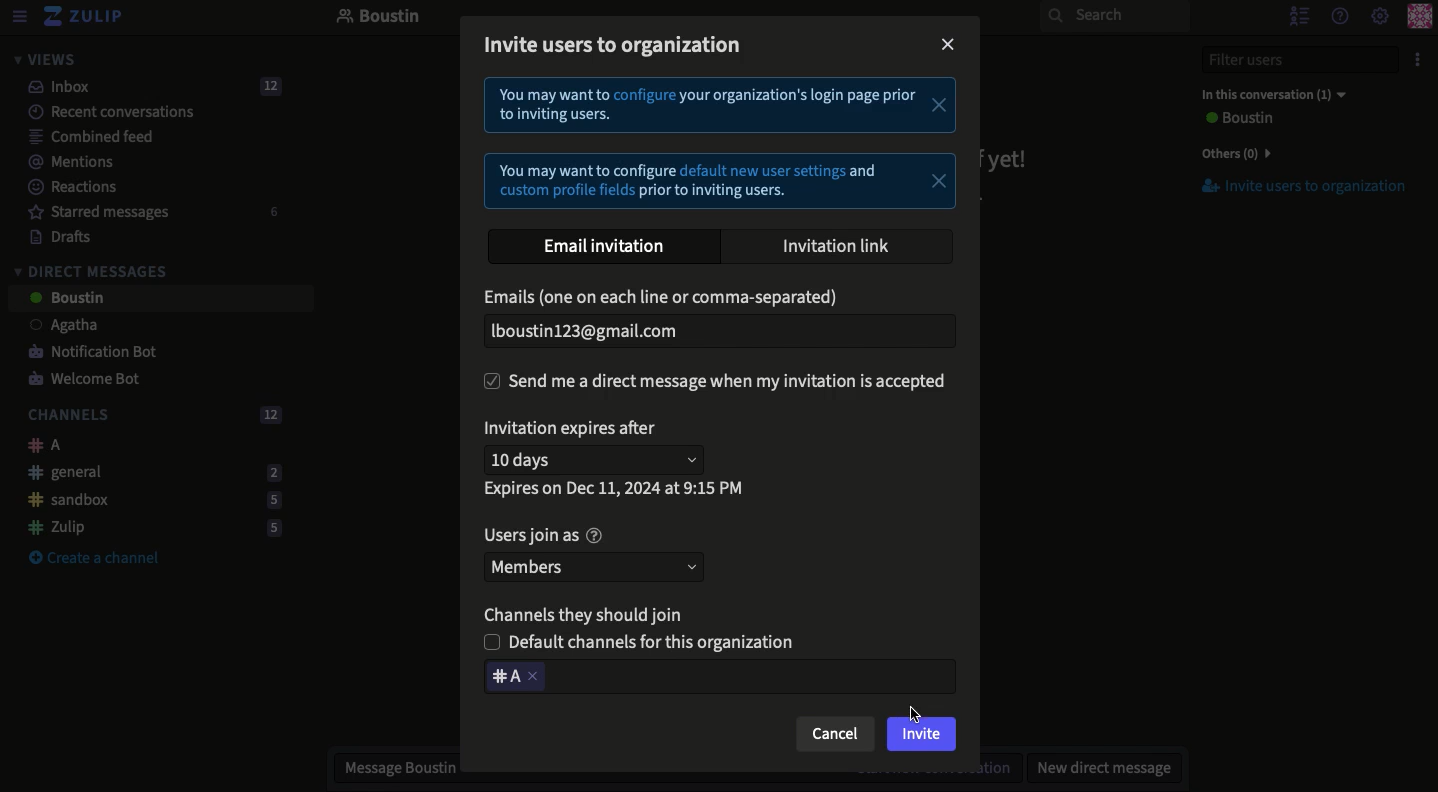 The height and width of the screenshot is (792, 1438). I want to click on Reactions, so click(69, 189).